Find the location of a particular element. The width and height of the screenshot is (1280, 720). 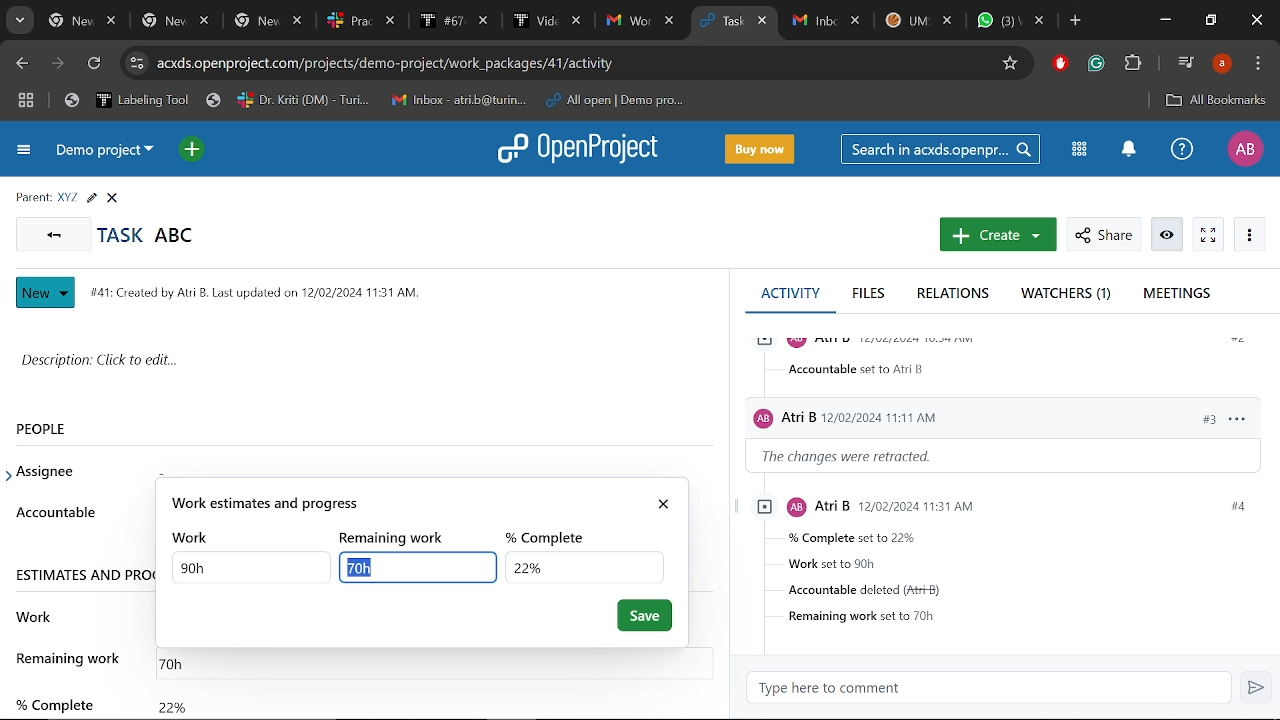

Buy now is located at coordinates (763, 148).